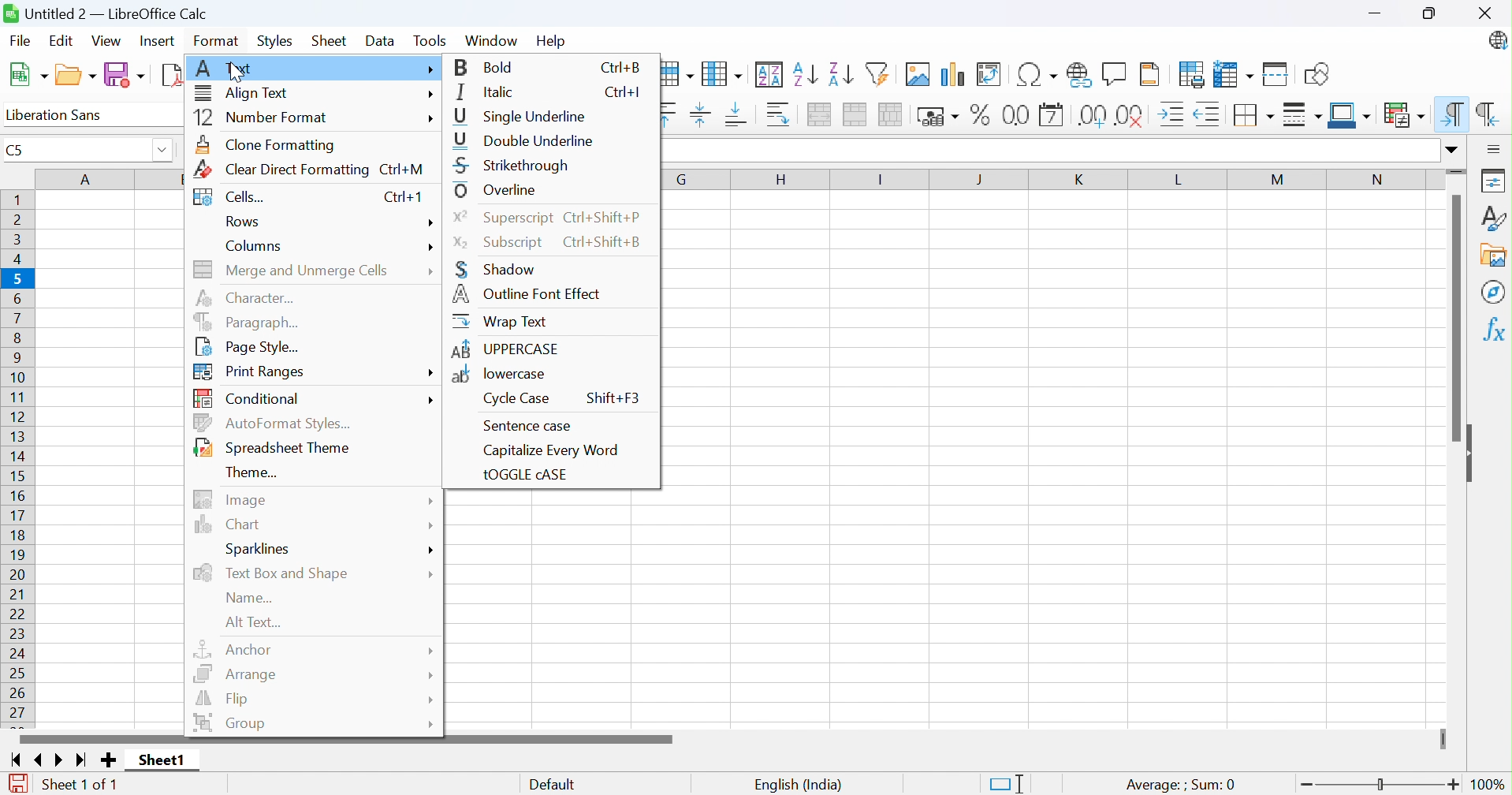 The height and width of the screenshot is (795, 1512). Describe the element at coordinates (549, 453) in the screenshot. I see `Capitalize every word` at that location.